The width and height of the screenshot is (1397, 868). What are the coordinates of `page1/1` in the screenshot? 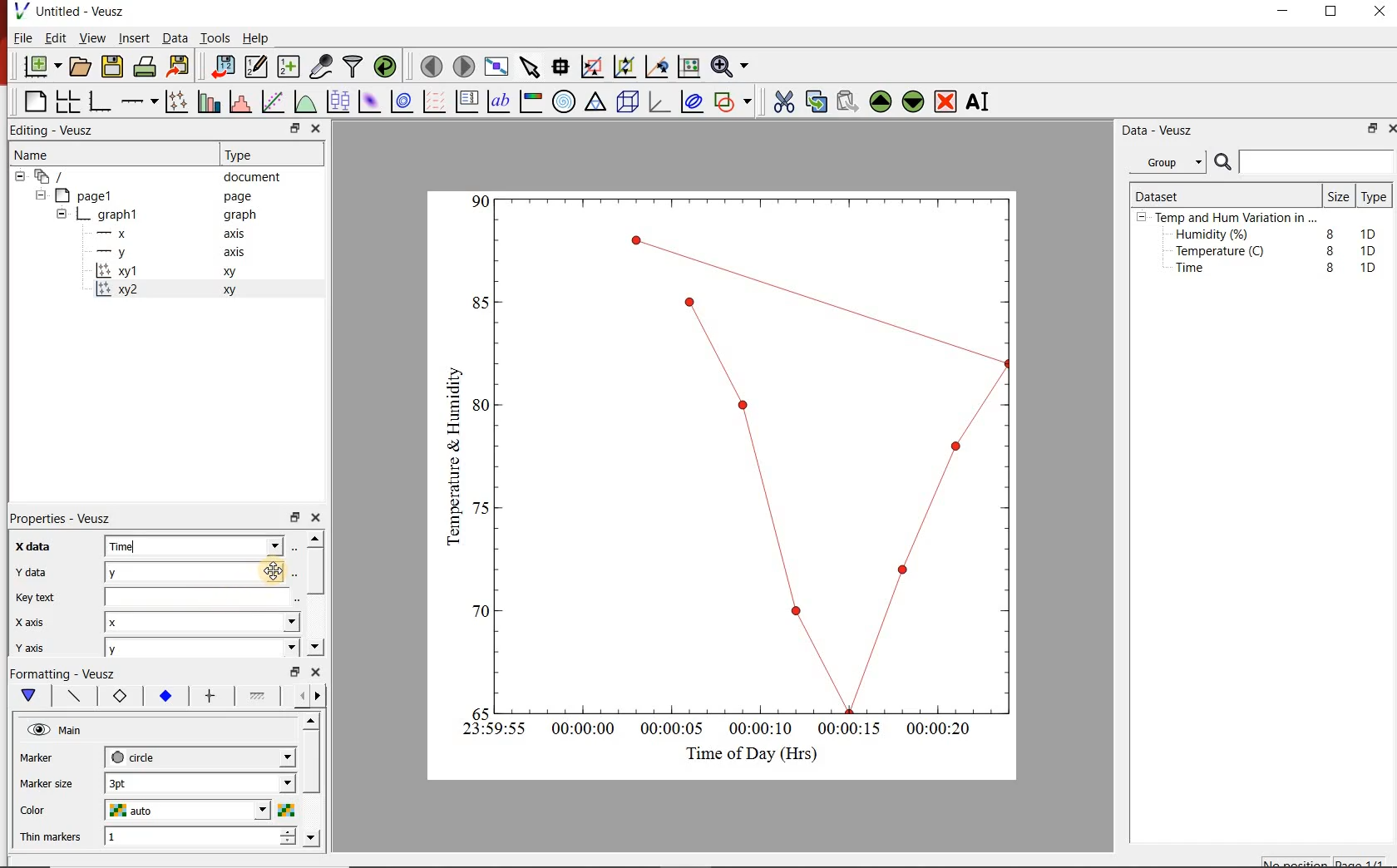 It's located at (1365, 861).